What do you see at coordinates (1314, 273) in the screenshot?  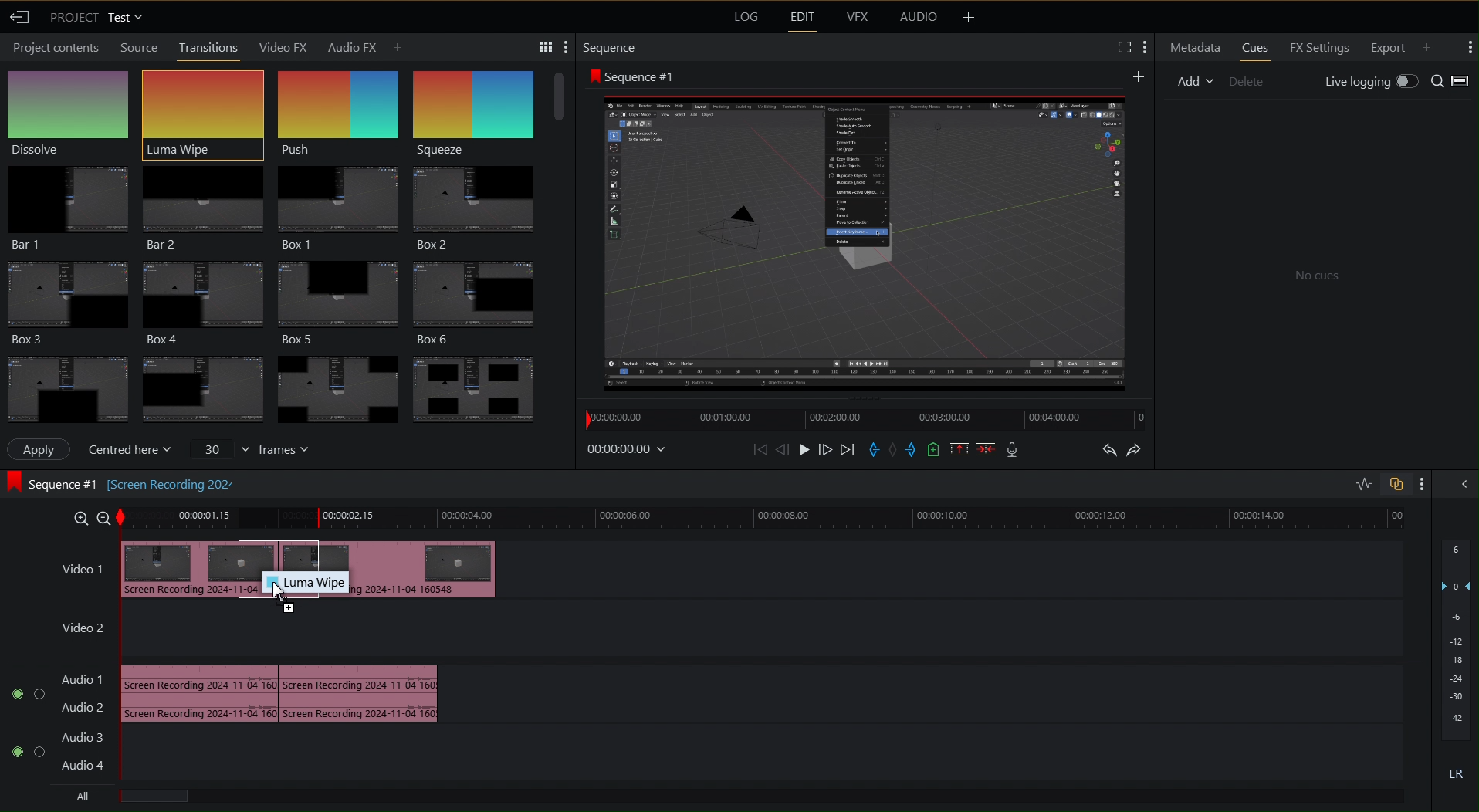 I see `No cues` at bounding box center [1314, 273].